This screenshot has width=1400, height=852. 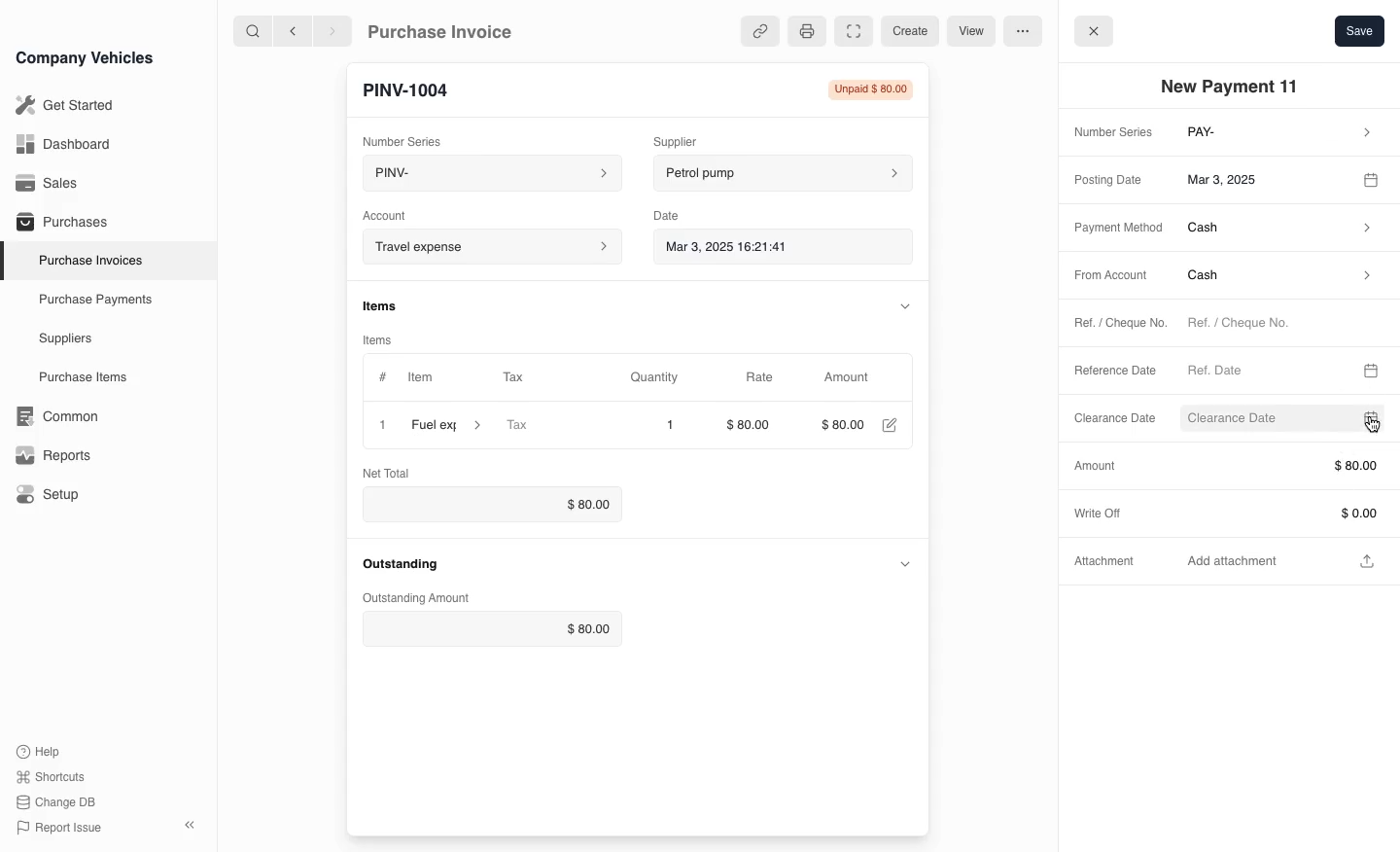 I want to click on Mar 3, 2025 16:21:41, so click(x=766, y=245).